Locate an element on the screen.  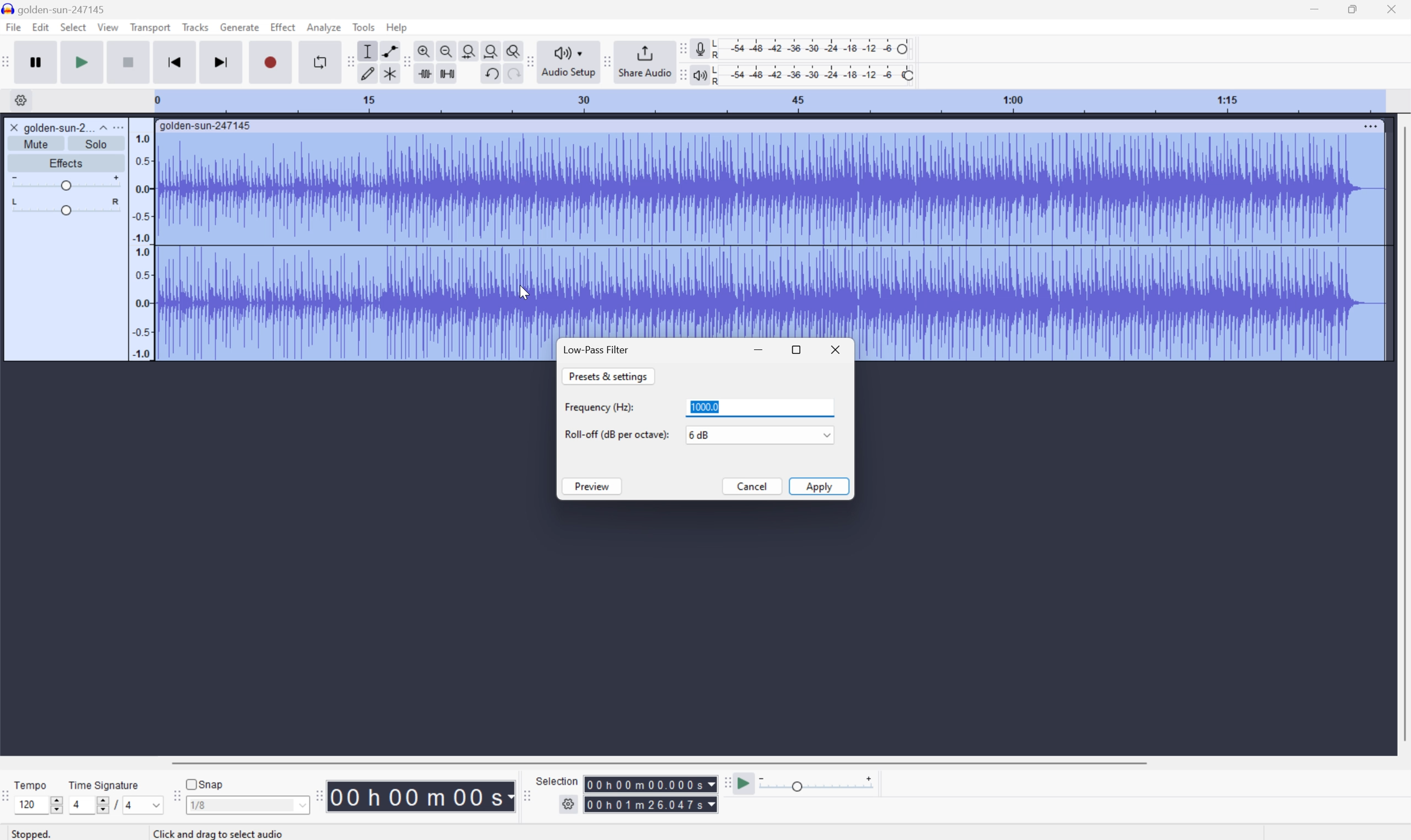
Time is located at coordinates (422, 795).